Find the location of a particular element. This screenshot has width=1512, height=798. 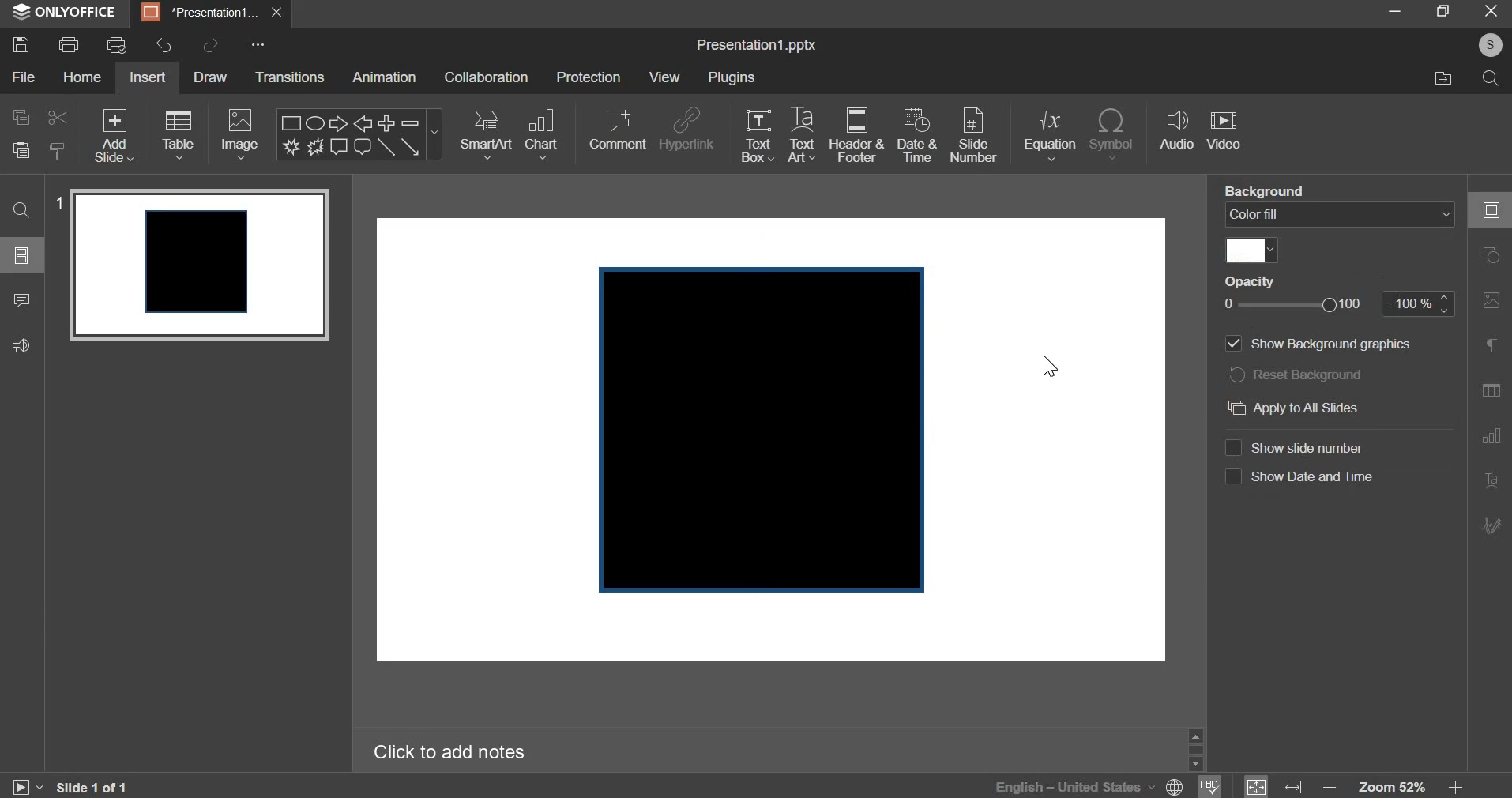

chart is located at coordinates (540, 134).